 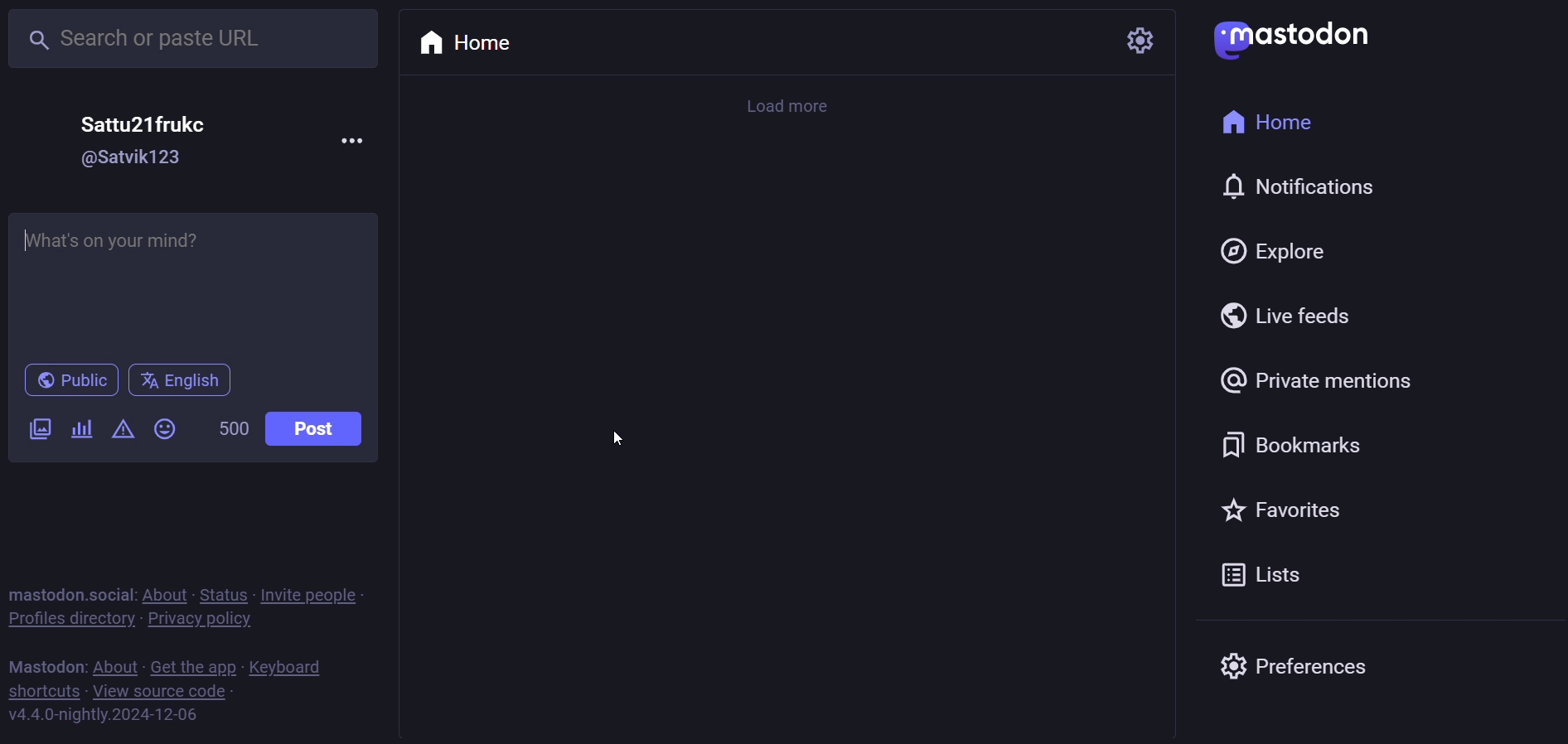 I want to click on setting, so click(x=1123, y=42).